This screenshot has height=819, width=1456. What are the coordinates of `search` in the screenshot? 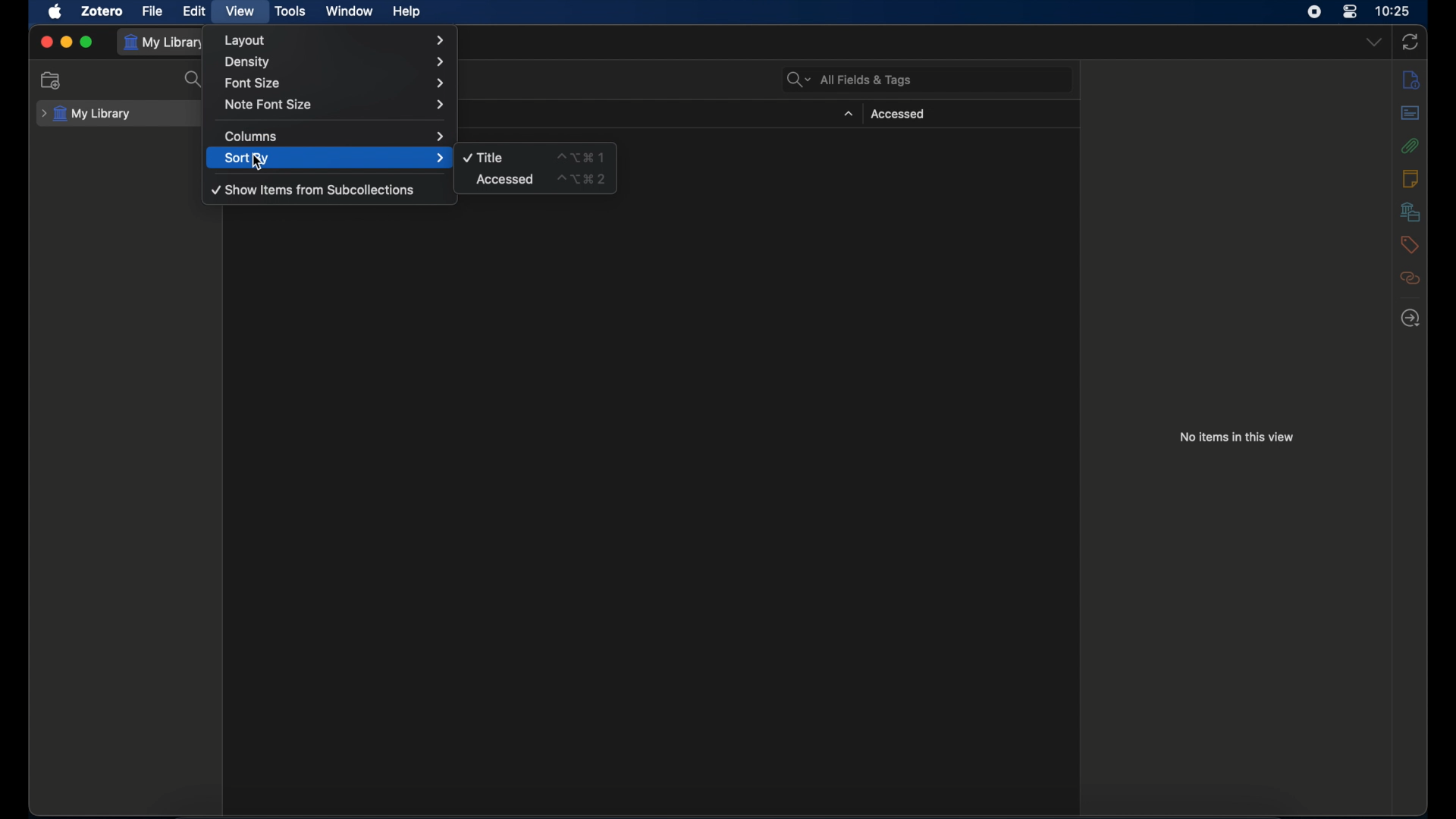 It's located at (193, 80).